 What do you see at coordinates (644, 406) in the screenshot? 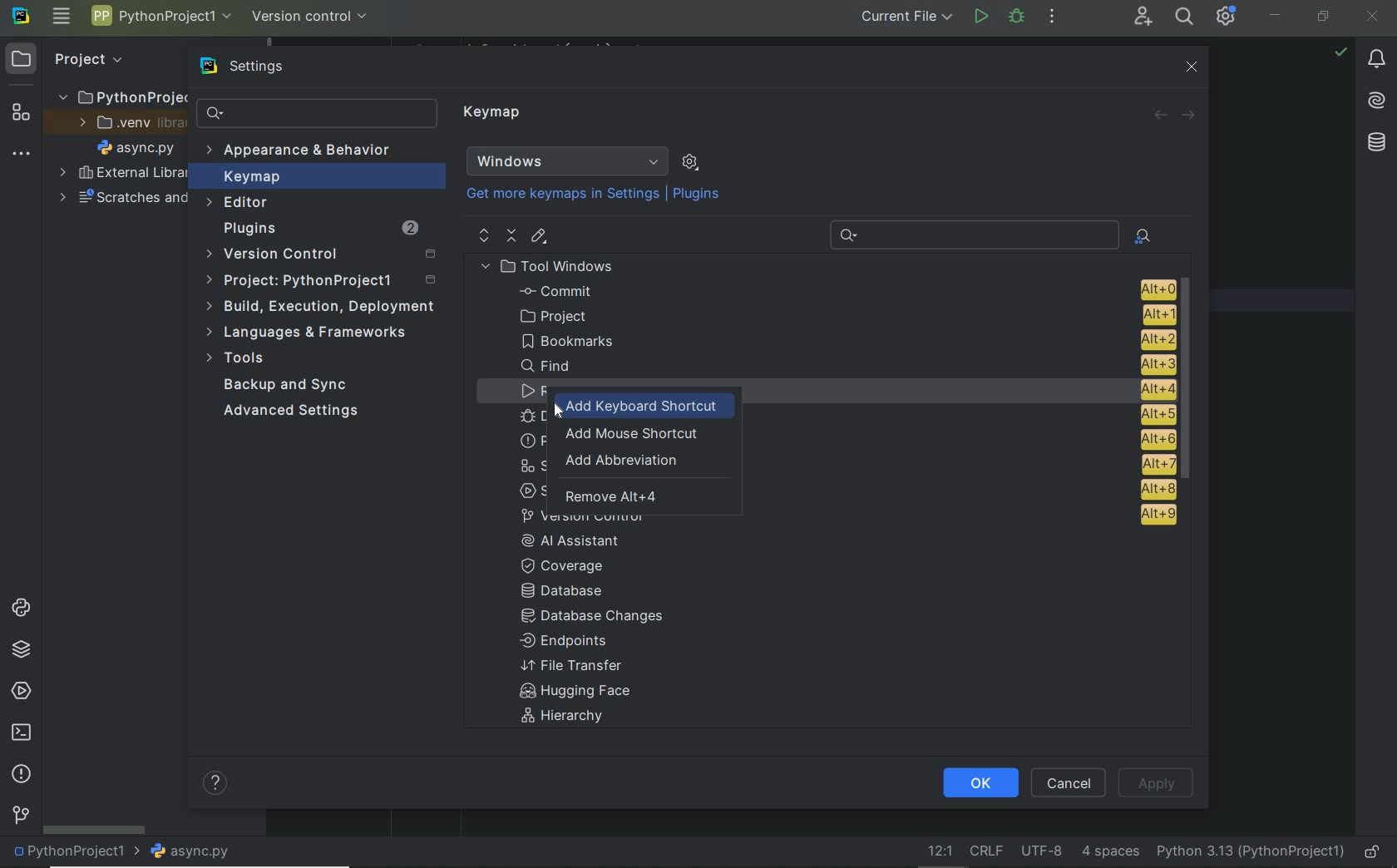
I see `add keyboard shortcut` at bounding box center [644, 406].